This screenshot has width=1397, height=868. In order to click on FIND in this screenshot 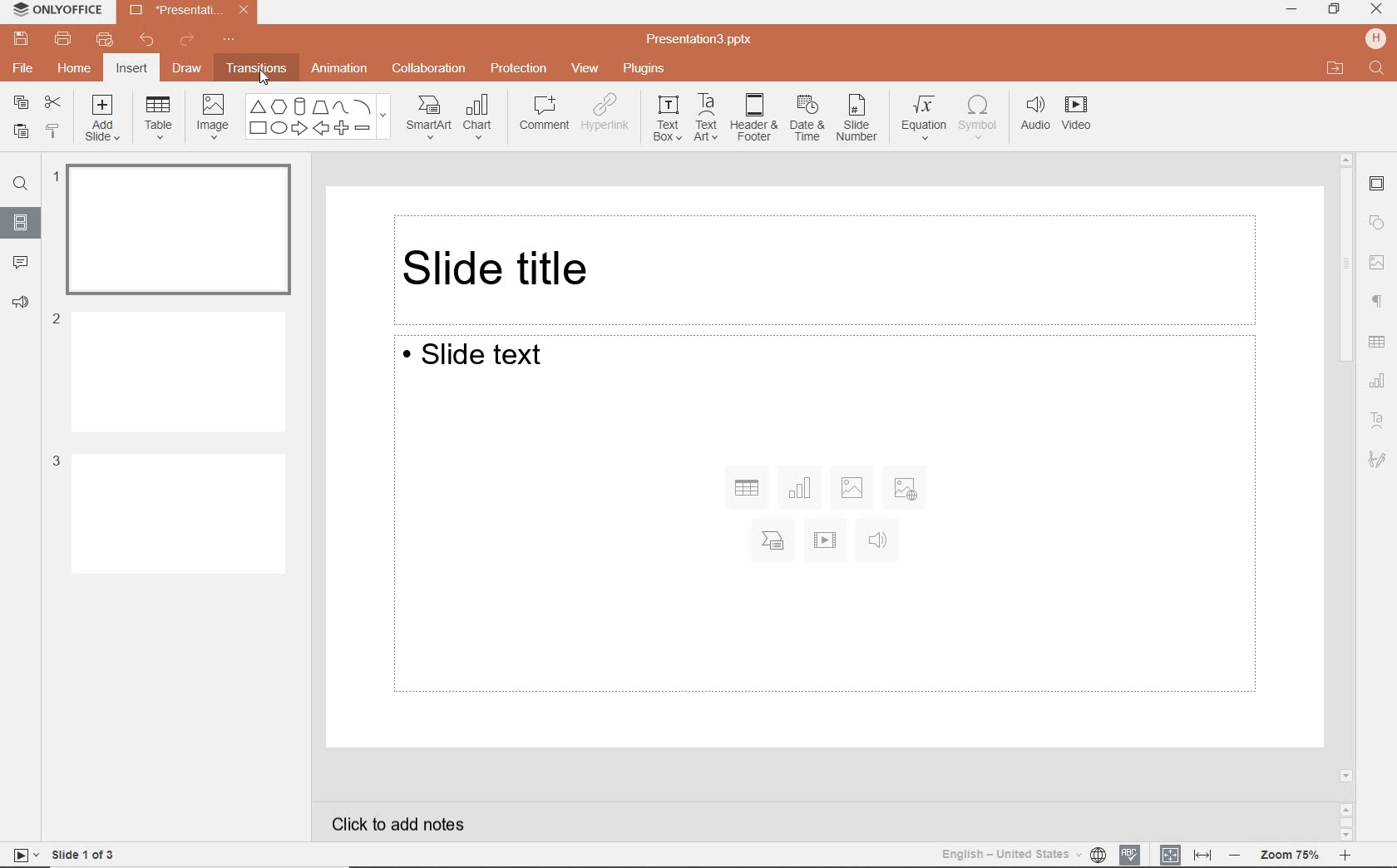, I will do `click(1376, 67)`.